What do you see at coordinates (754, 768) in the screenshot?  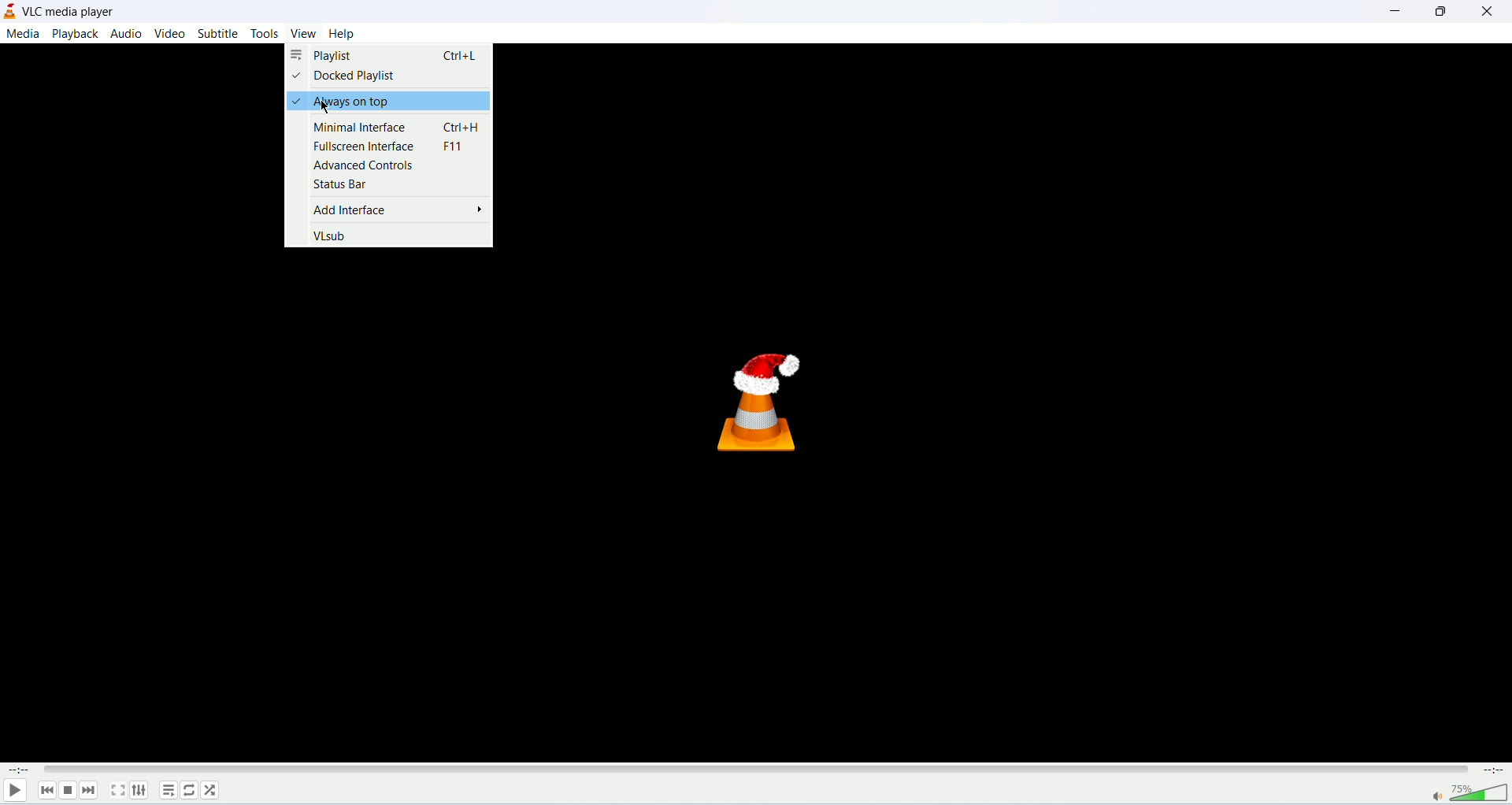 I see `progress bar` at bounding box center [754, 768].